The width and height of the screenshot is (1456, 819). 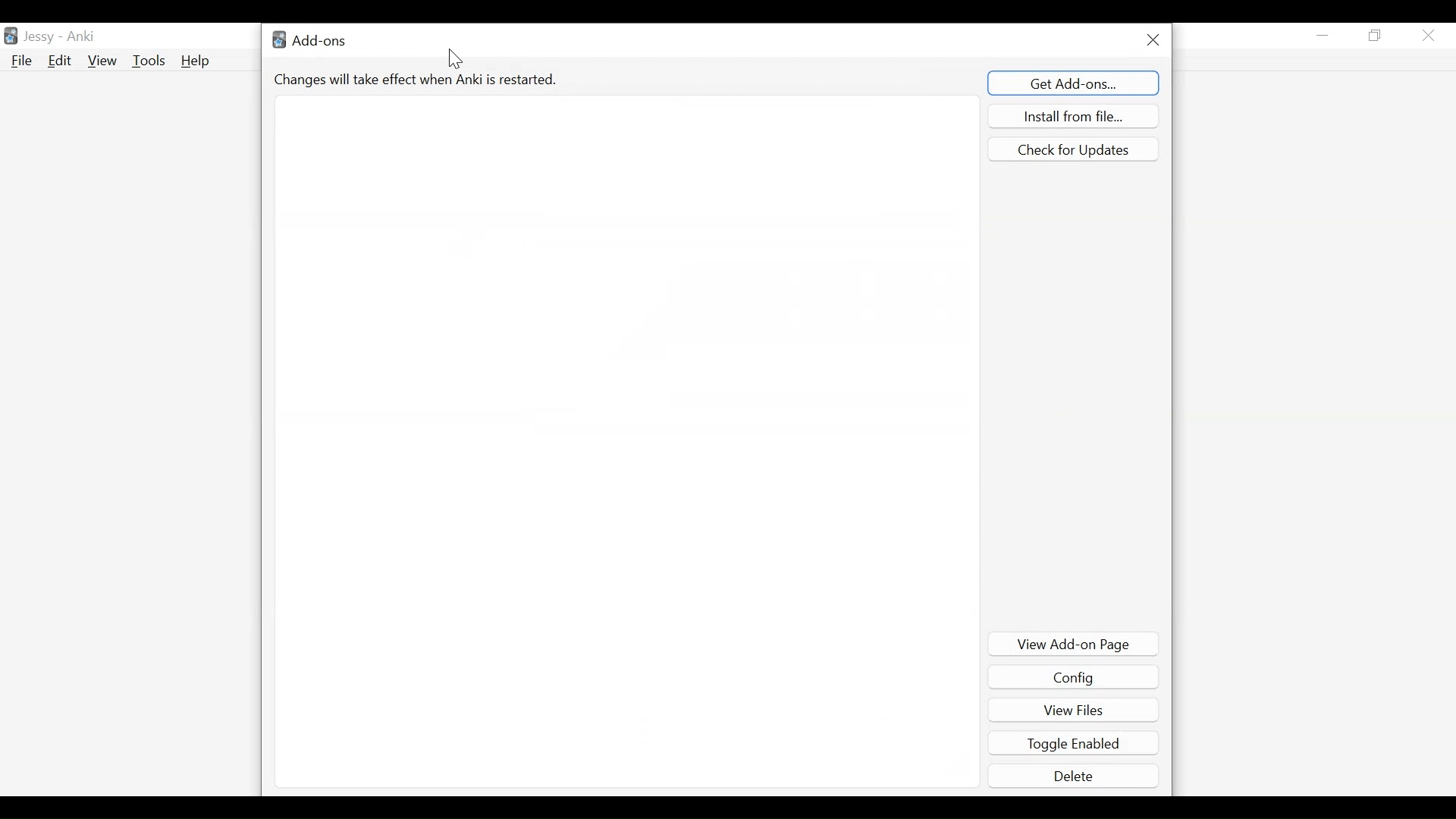 What do you see at coordinates (11, 36) in the screenshot?
I see `Anki Desktop icon` at bounding box center [11, 36].